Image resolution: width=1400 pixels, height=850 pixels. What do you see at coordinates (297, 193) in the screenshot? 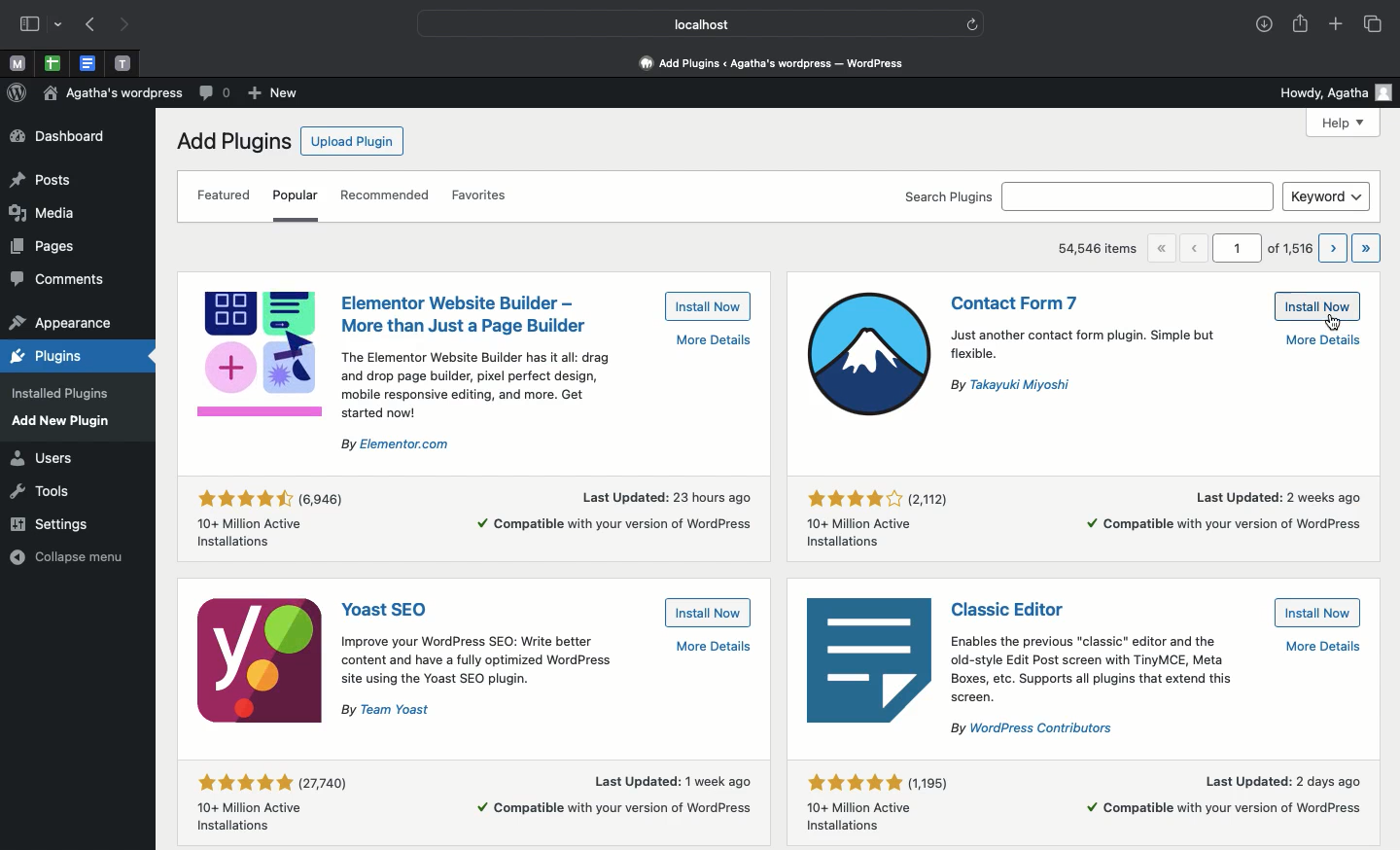
I see `Popular` at bounding box center [297, 193].